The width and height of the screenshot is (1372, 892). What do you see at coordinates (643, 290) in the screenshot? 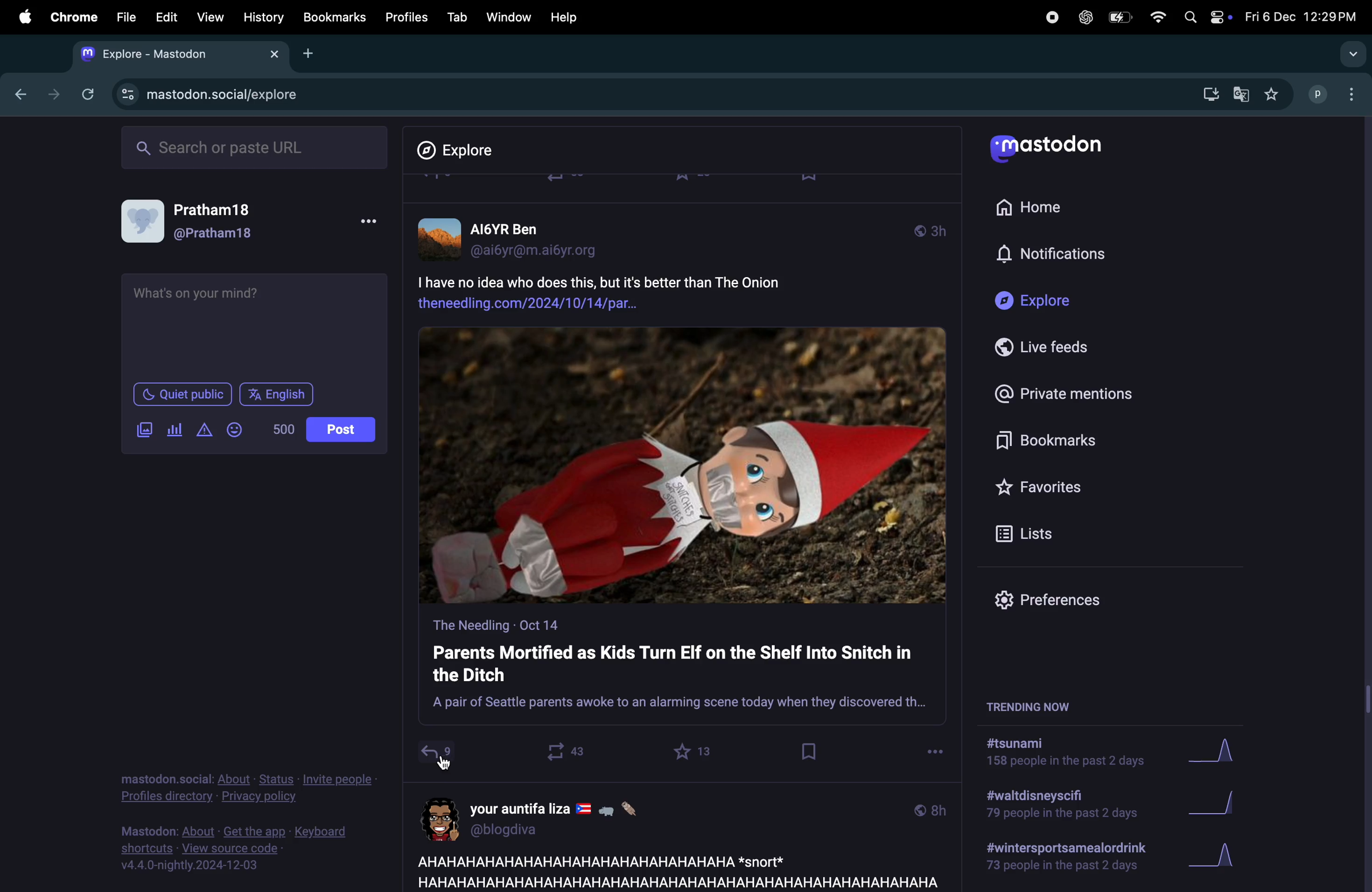
I see `post description` at bounding box center [643, 290].